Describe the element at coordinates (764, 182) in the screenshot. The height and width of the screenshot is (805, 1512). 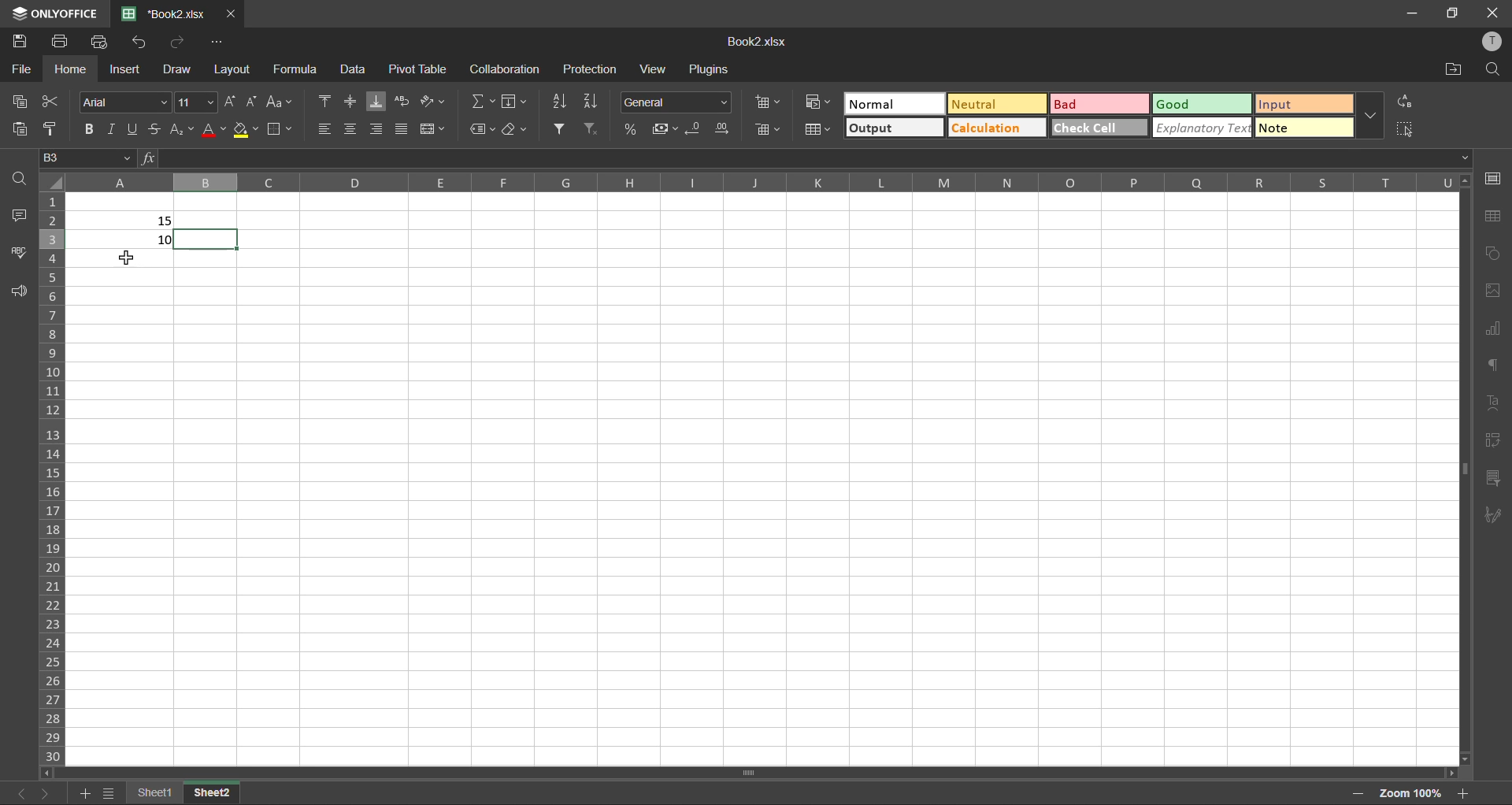
I see `column names in alphabets` at that location.